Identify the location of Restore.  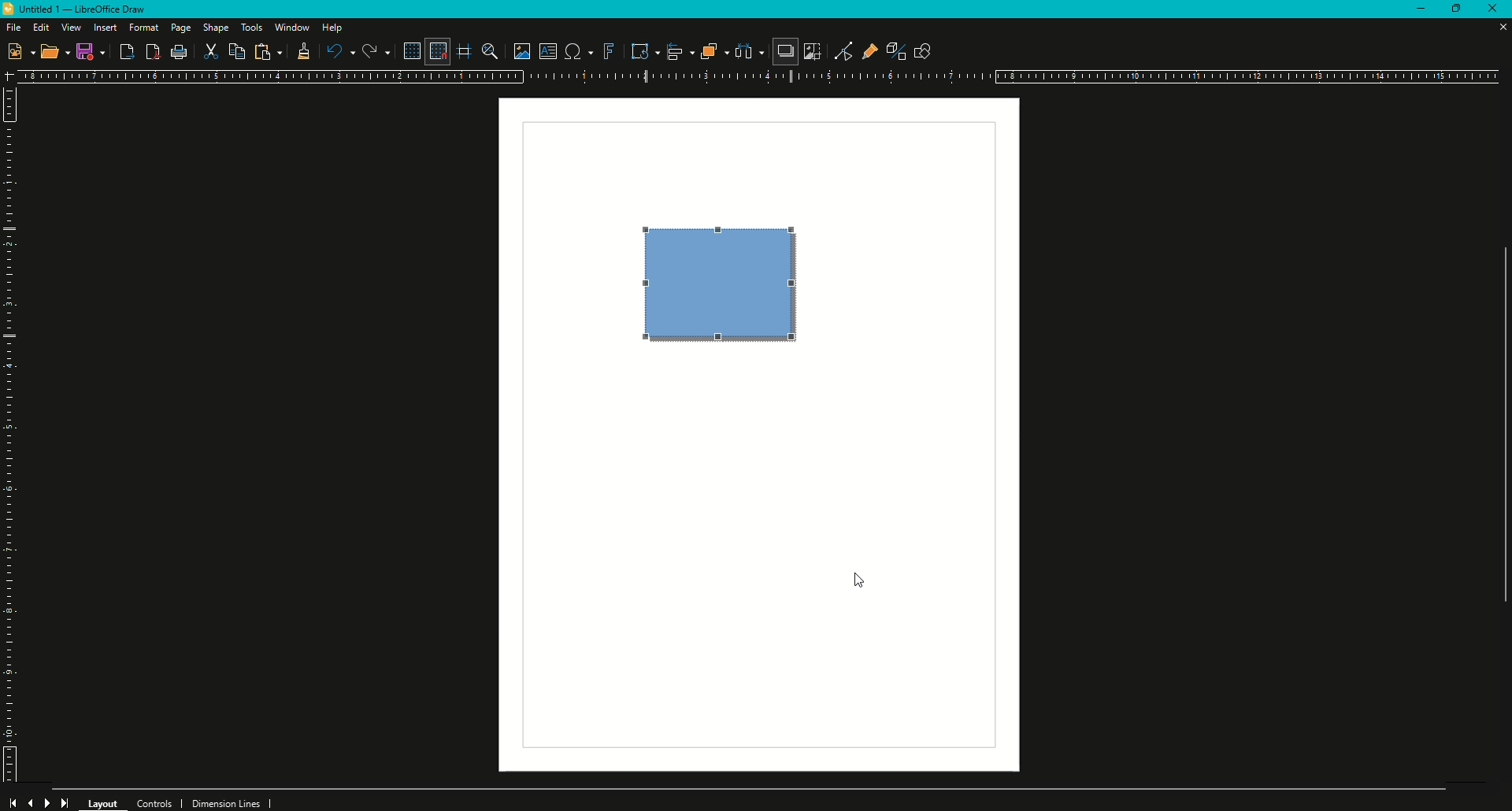
(1454, 10).